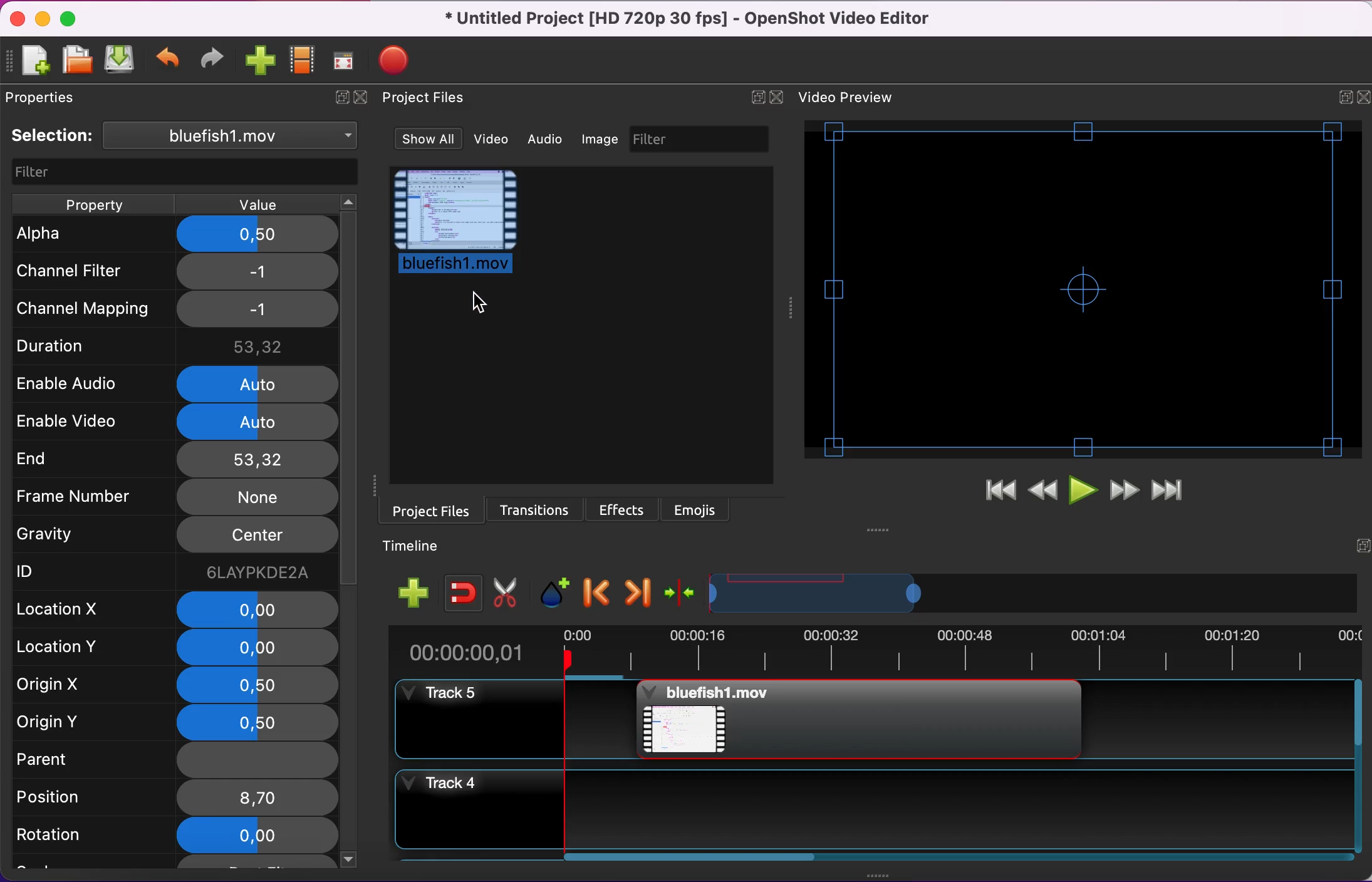 Image resolution: width=1372 pixels, height=882 pixels. Describe the element at coordinates (341, 97) in the screenshot. I see `expand/hide` at that location.